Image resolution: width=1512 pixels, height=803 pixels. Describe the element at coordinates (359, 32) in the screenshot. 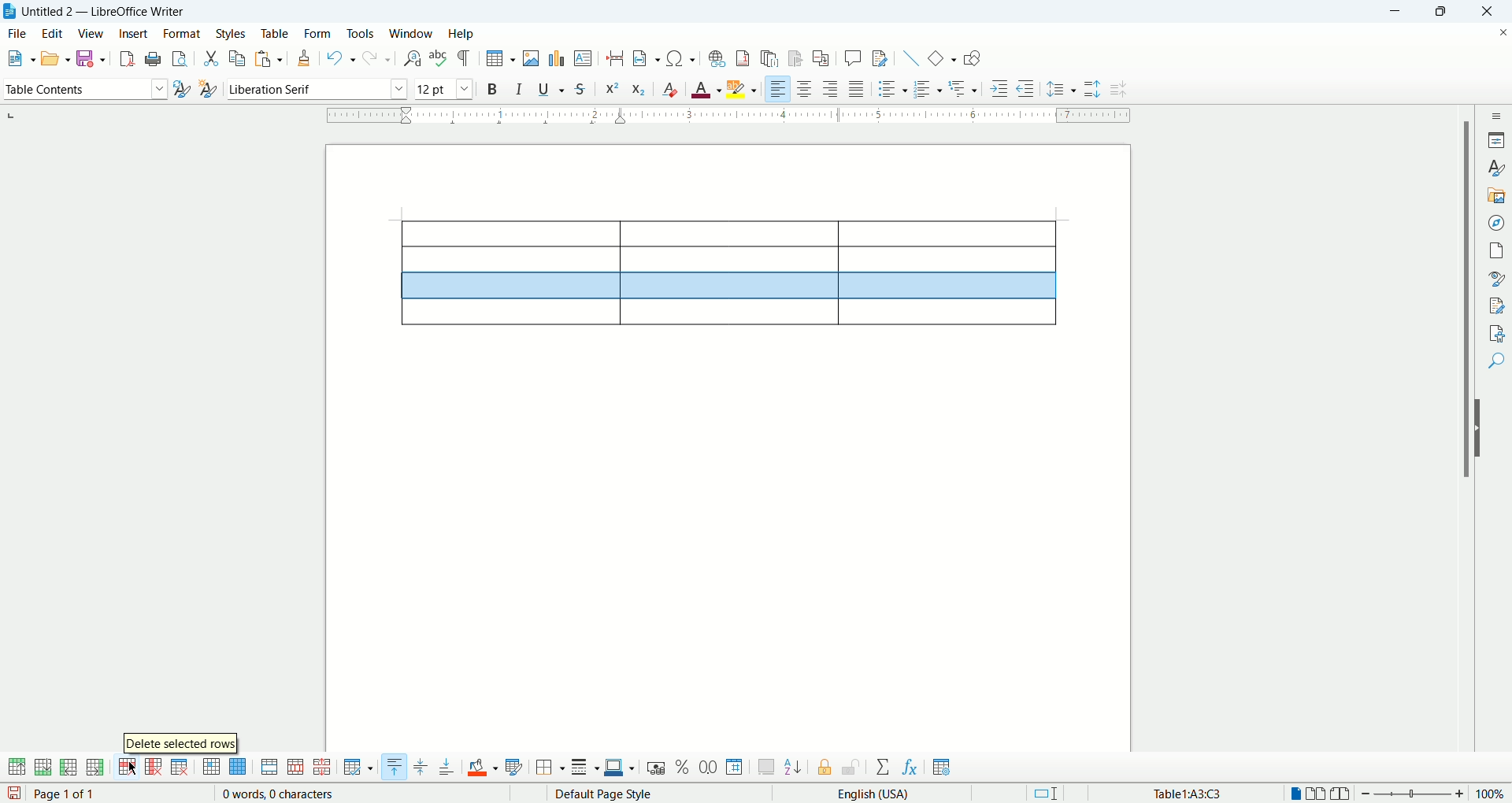

I see `tools` at that location.